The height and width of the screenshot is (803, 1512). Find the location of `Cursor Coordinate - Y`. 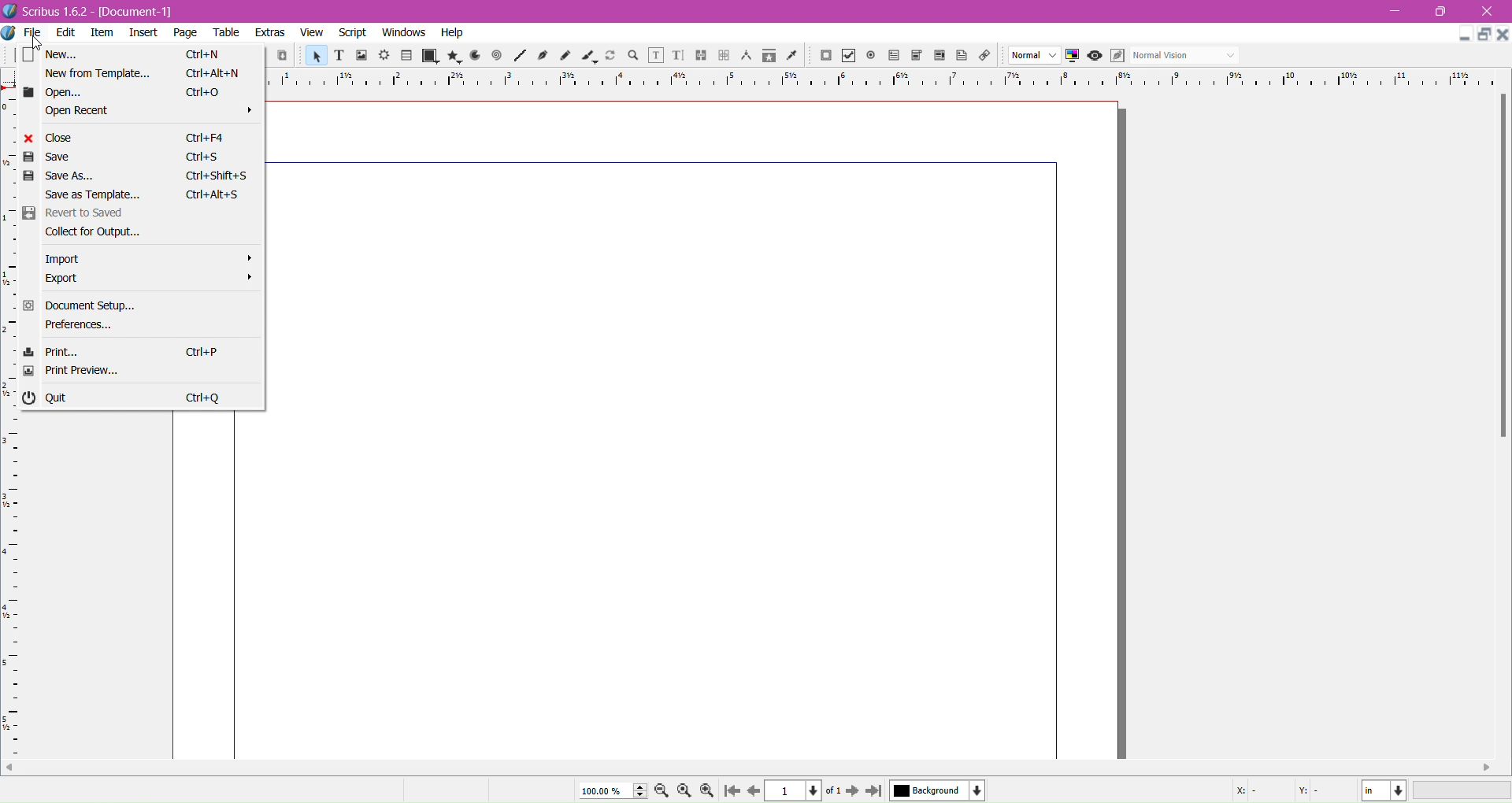

Cursor Coordinate - Y is located at coordinates (1322, 790).